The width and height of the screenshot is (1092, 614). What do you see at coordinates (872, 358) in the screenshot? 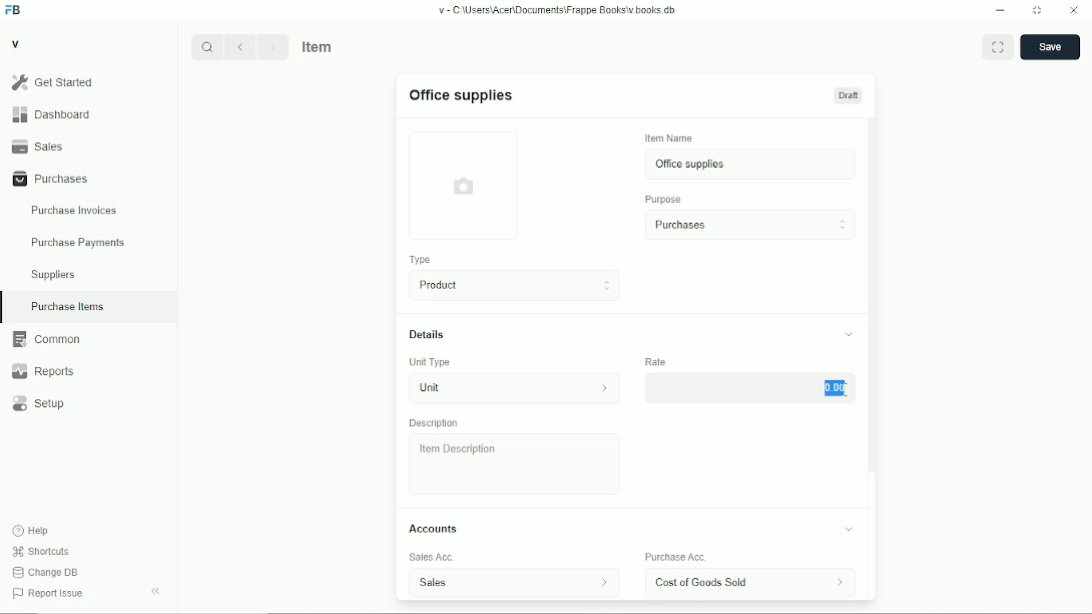
I see `scroll bar` at bounding box center [872, 358].